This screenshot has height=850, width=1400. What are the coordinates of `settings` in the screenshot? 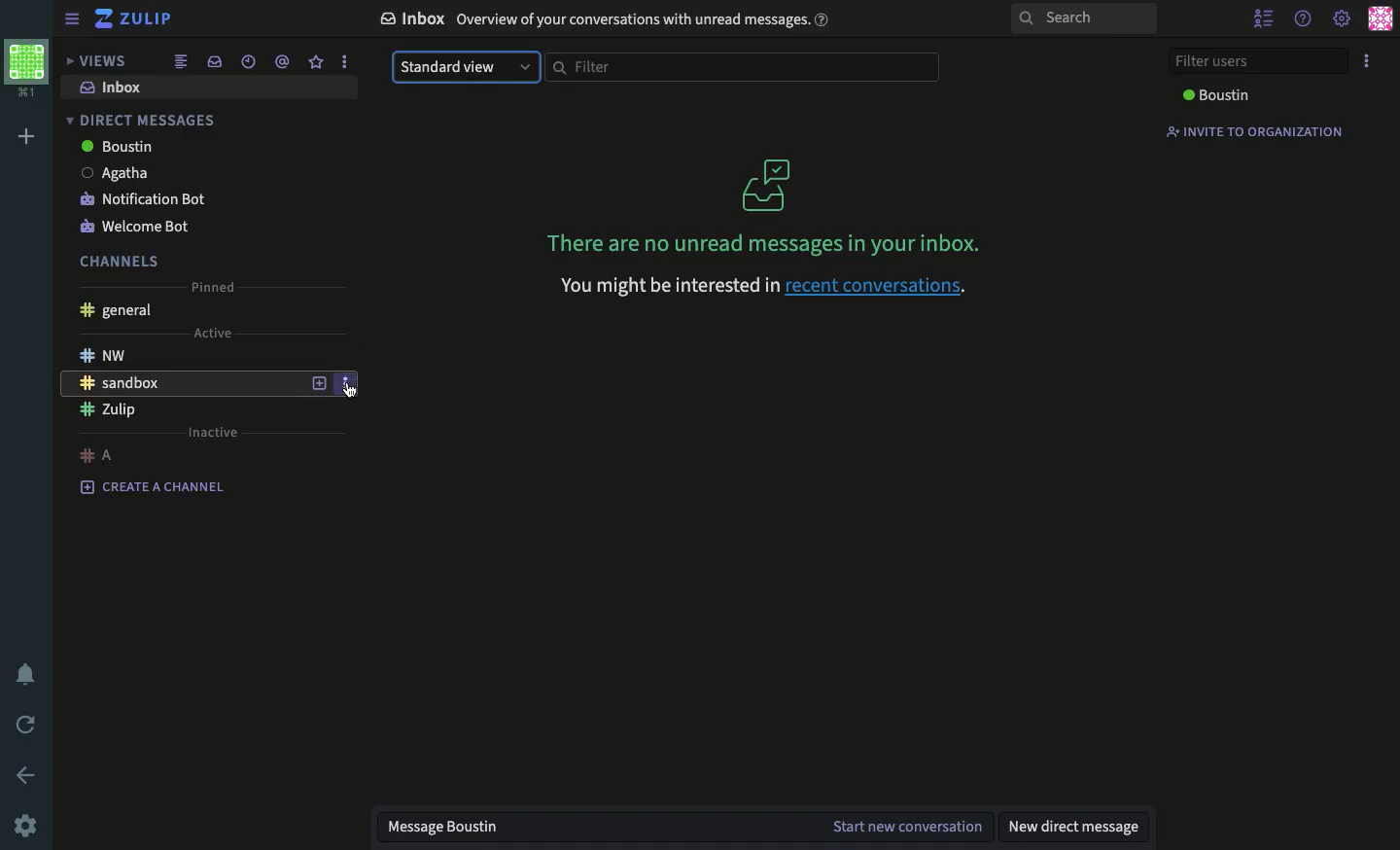 It's located at (29, 822).